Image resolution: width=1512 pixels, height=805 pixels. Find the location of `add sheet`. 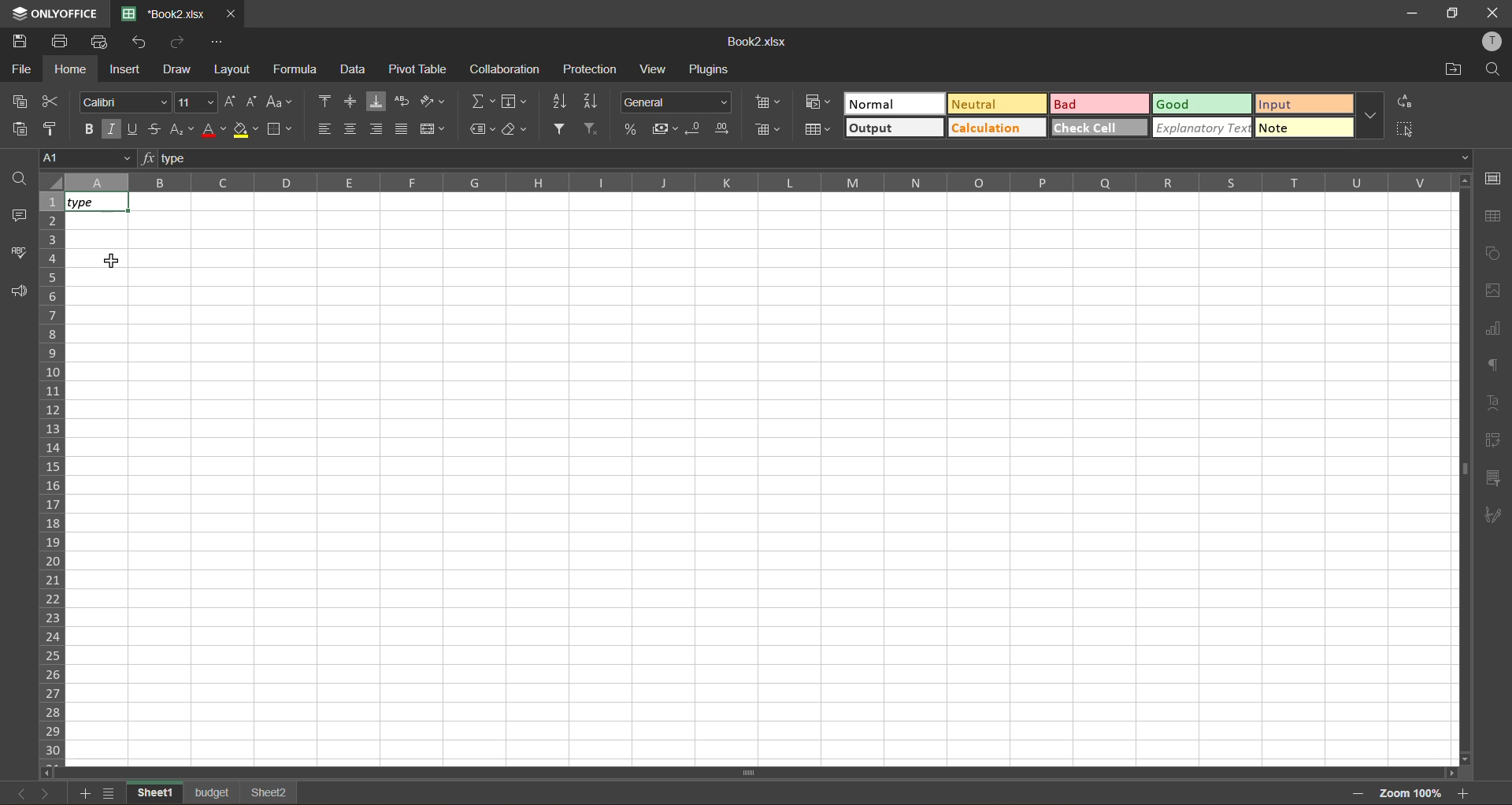

add sheet is located at coordinates (84, 794).